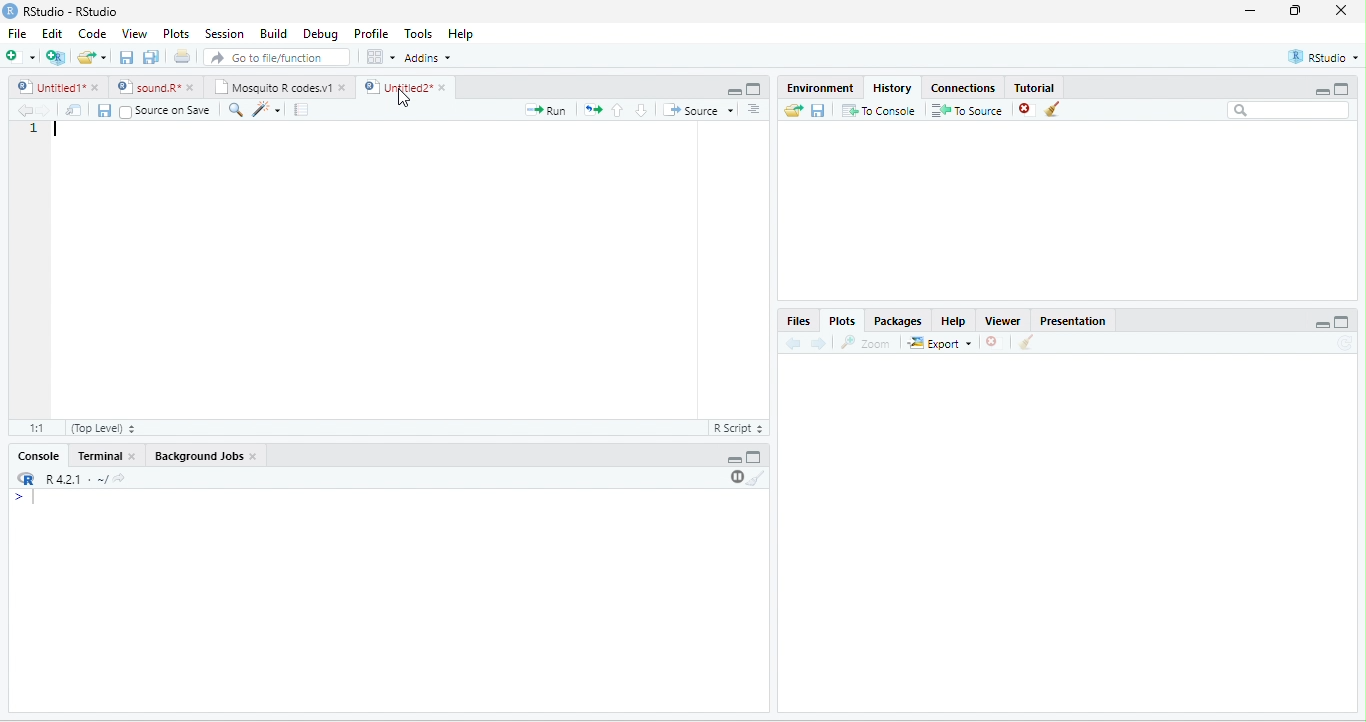 The height and width of the screenshot is (722, 1366). I want to click on 1:1, so click(38, 427).